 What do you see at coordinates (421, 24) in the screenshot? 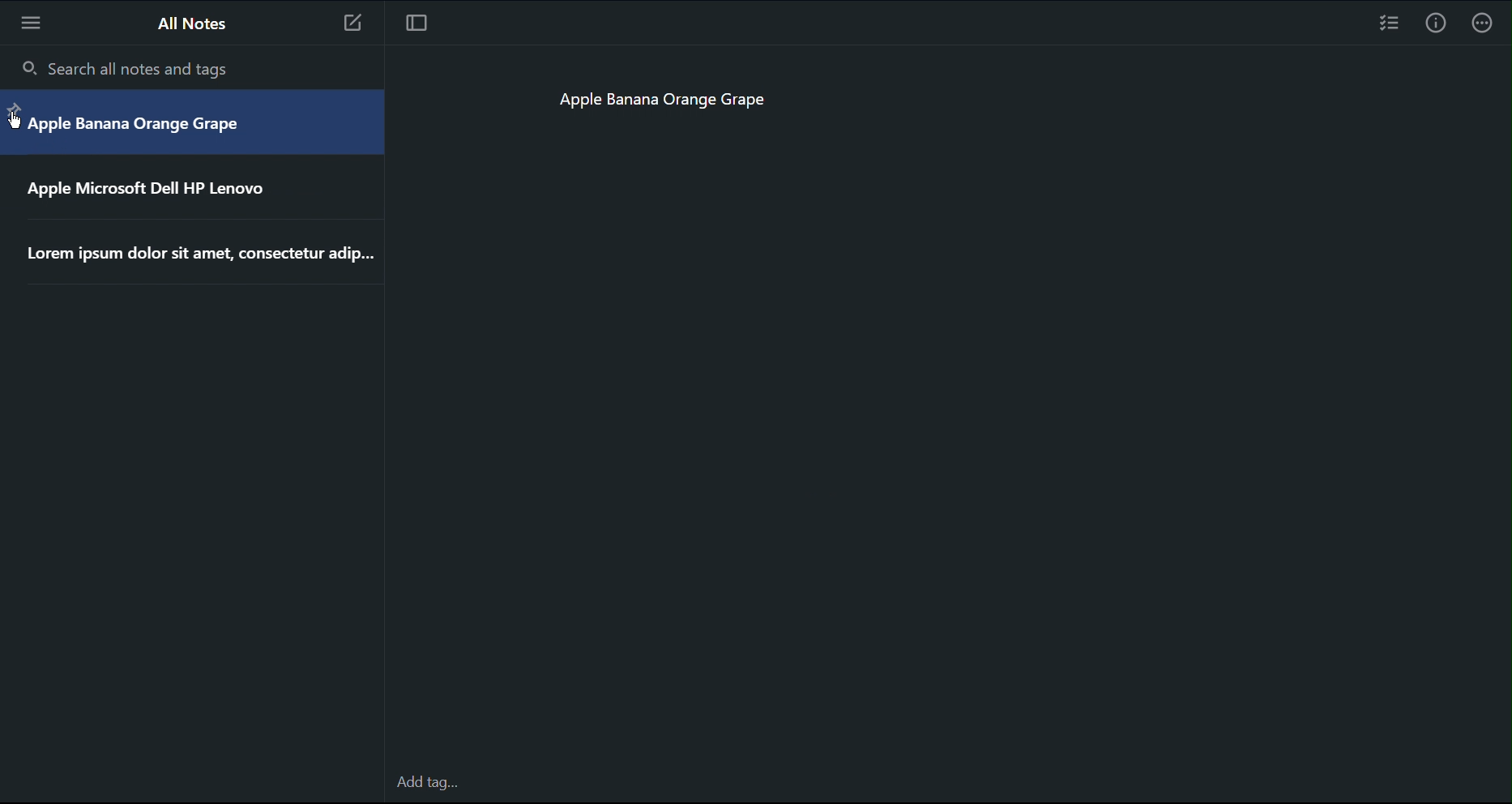
I see `Focus Mode` at bounding box center [421, 24].